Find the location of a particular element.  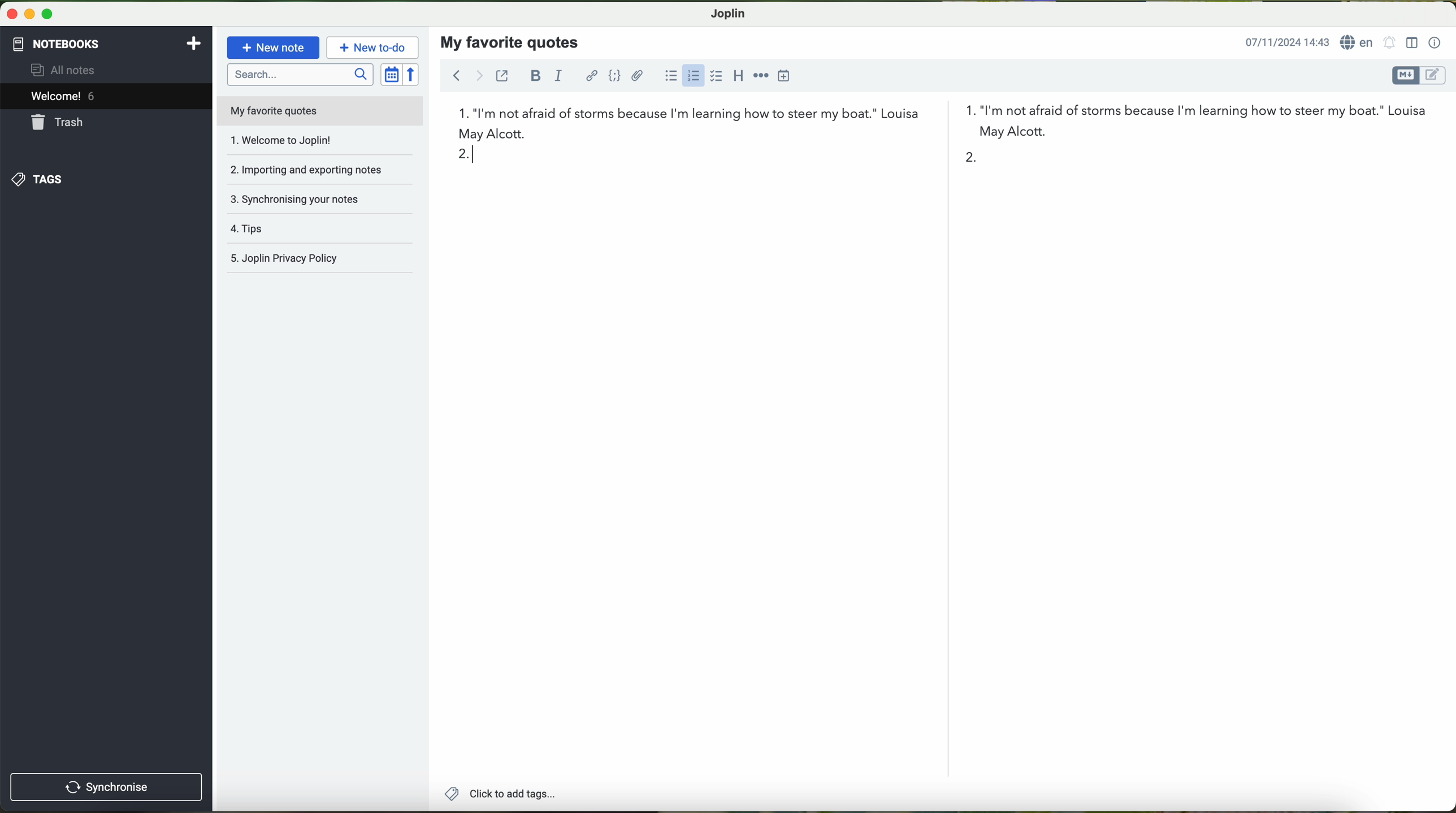

attach files is located at coordinates (639, 78).